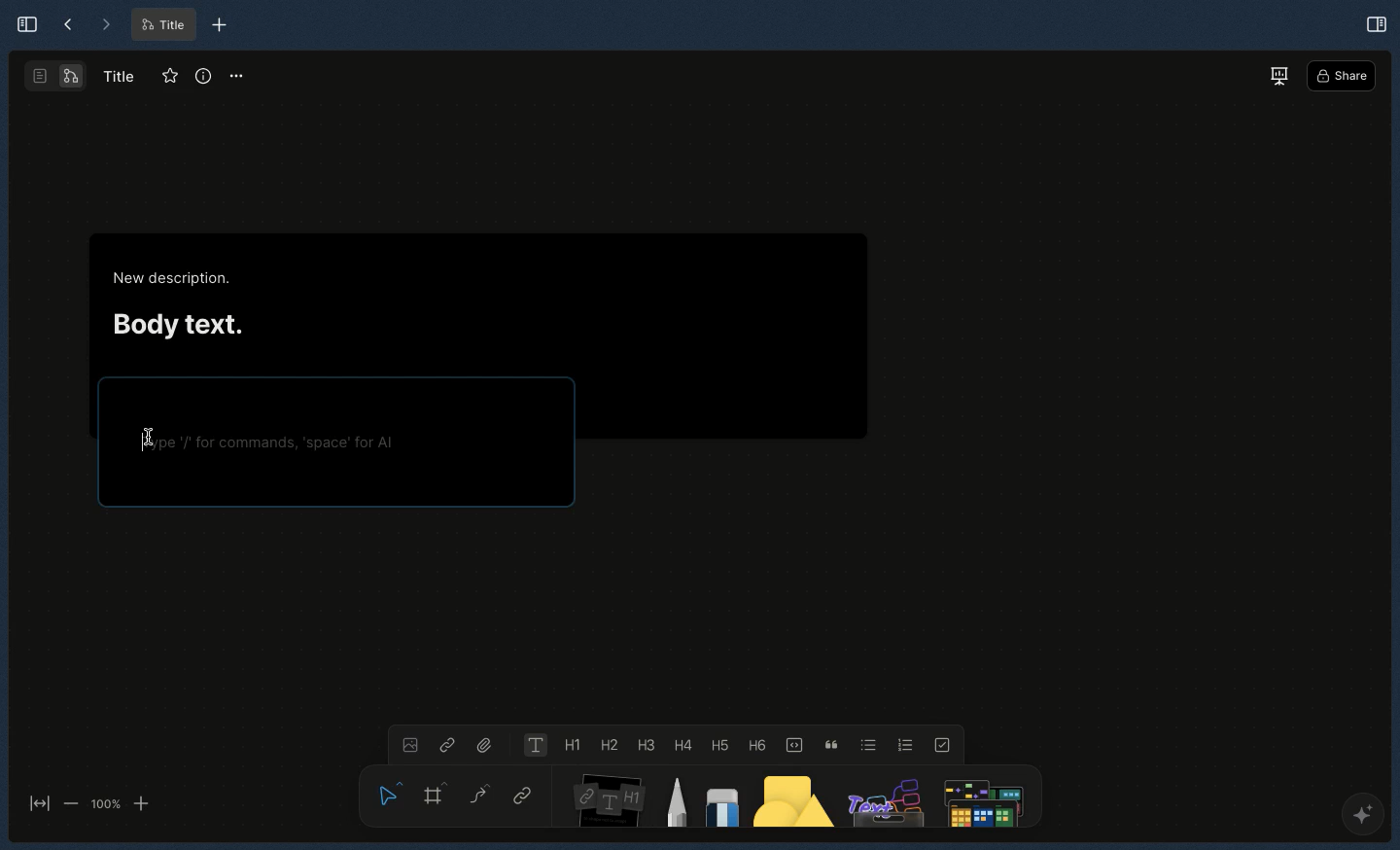 Image resolution: width=1400 pixels, height=850 pixels. Describe the element at coordinates (647, 744) in the screenshot. I see `Heading 3` at that location.